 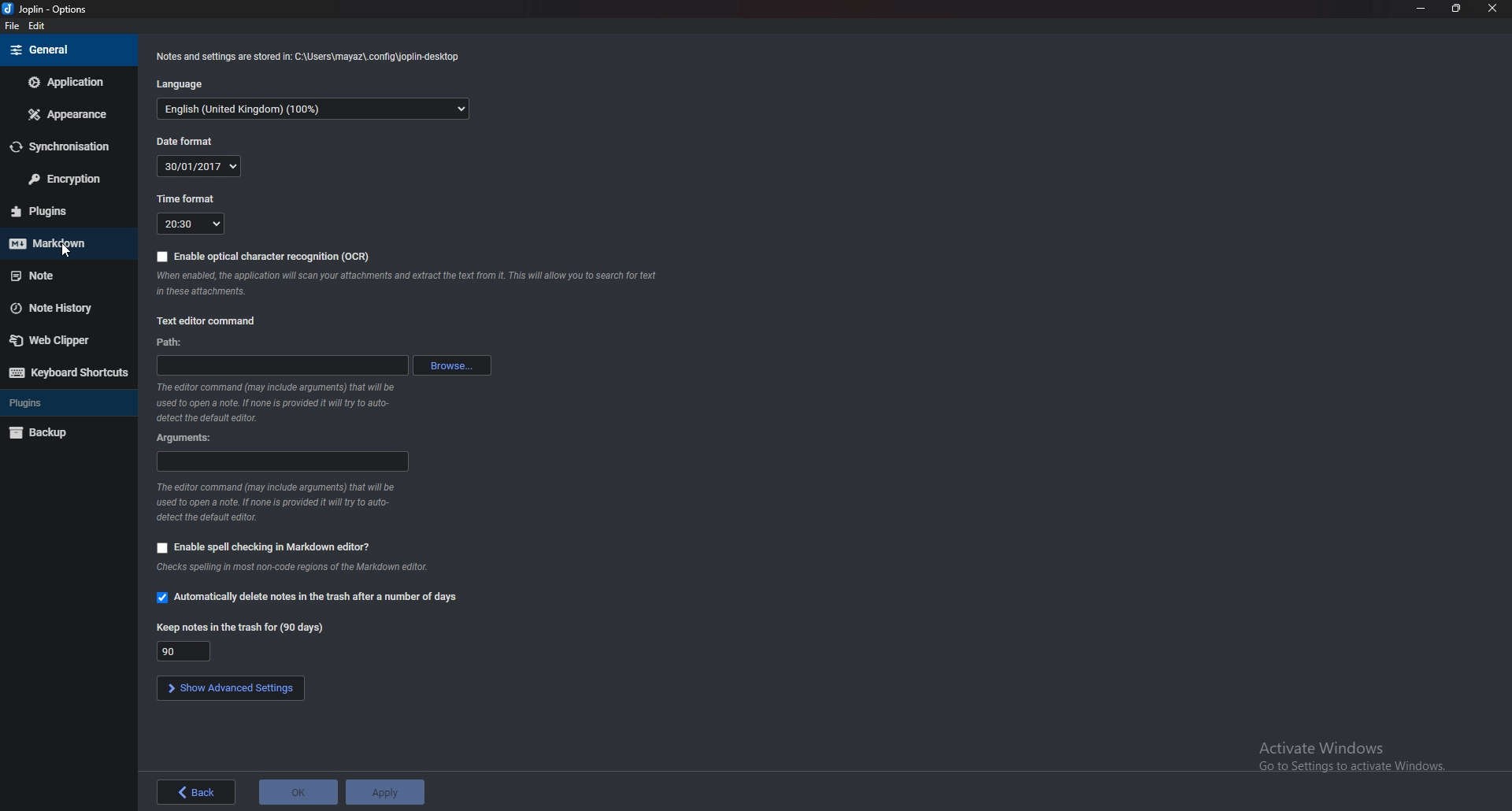 What do you see at coordinates (283, 461) in the screenshot?
I see `arguments` at bounding box center [283, 461].